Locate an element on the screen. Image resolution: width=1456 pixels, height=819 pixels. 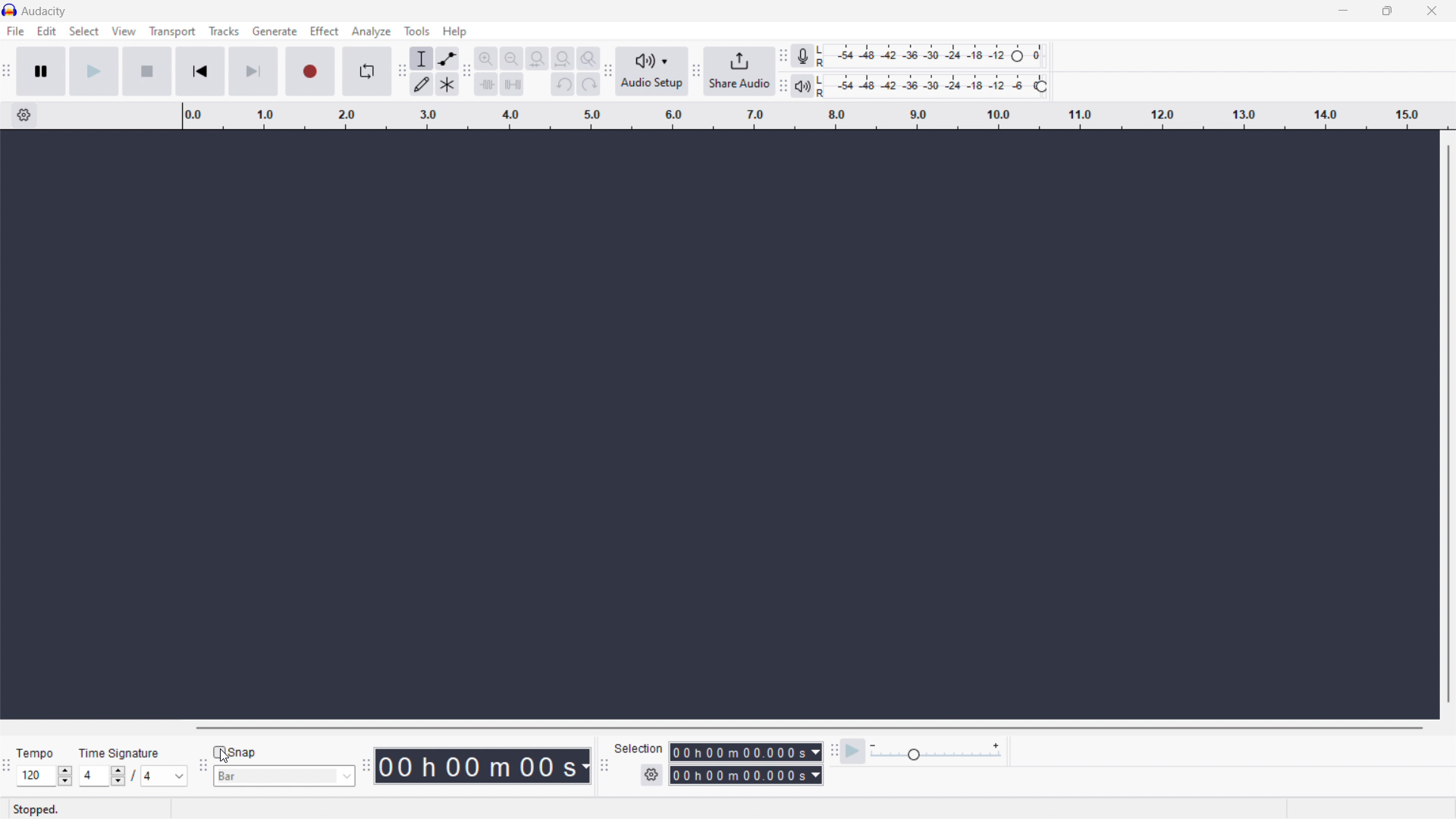
minimize is located at coordinates (1341, 11).